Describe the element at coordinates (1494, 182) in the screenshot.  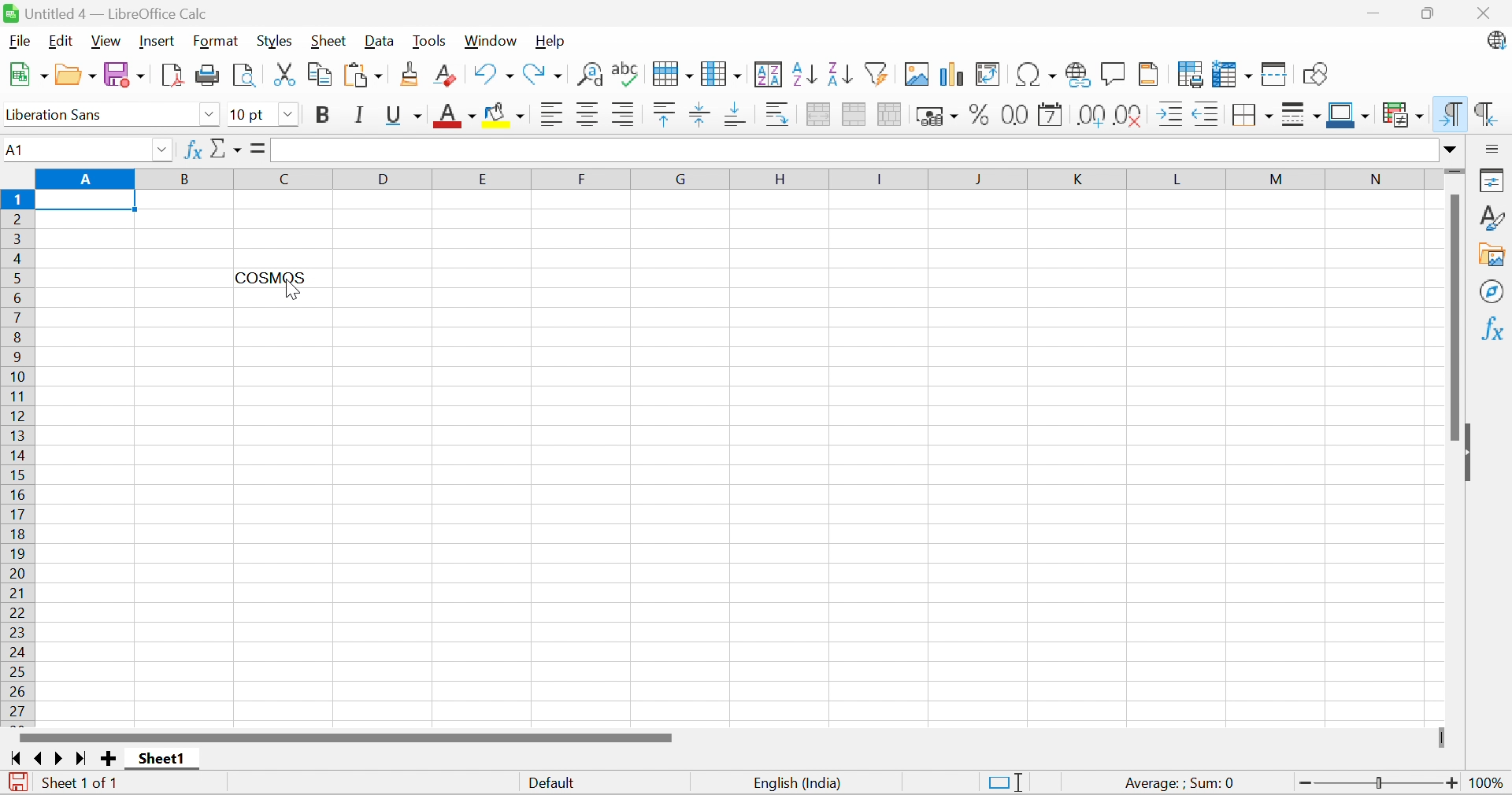
I see `Properties` at that location.